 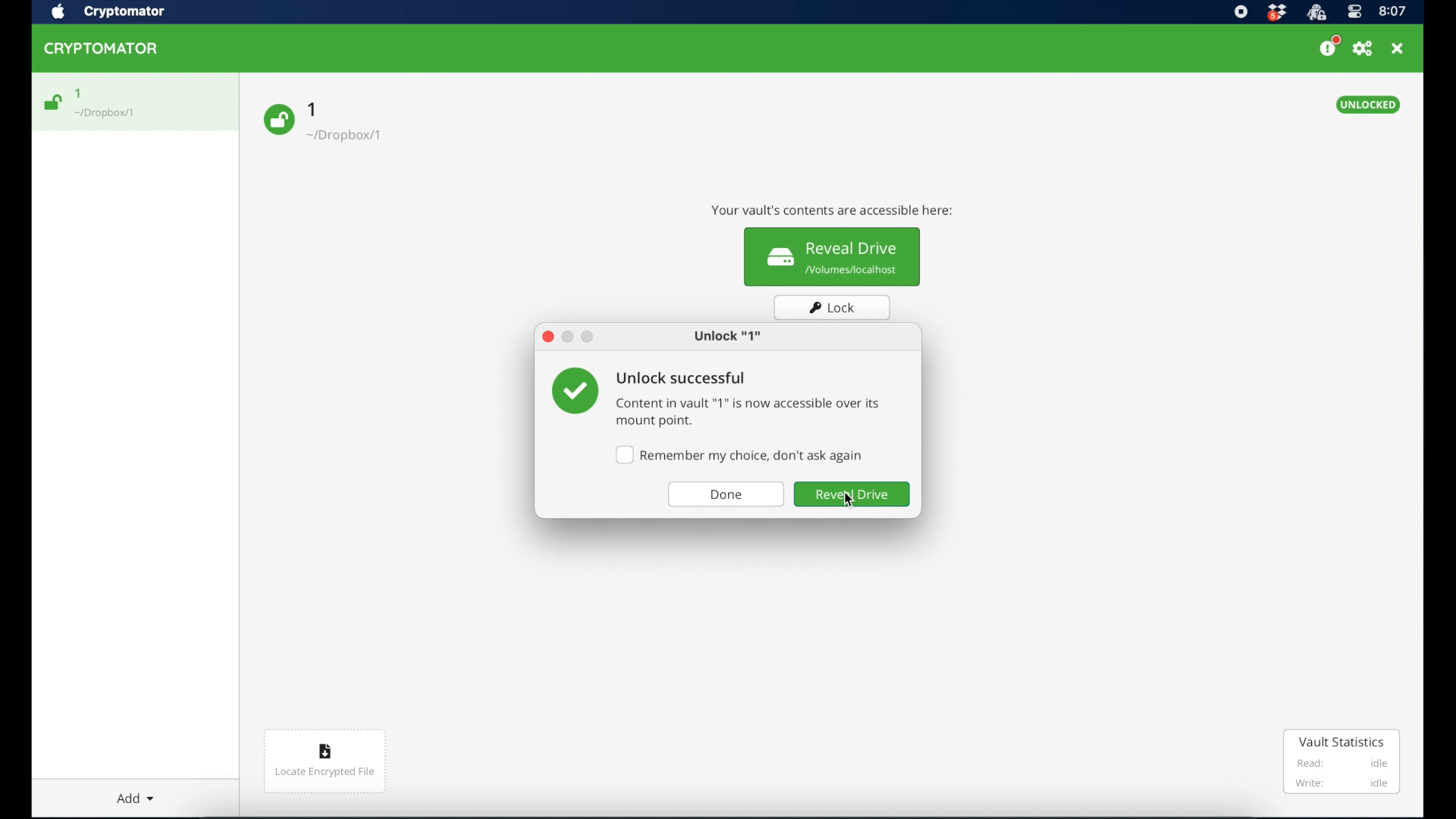 I want to click on minimize, so click(x=568, y=337).